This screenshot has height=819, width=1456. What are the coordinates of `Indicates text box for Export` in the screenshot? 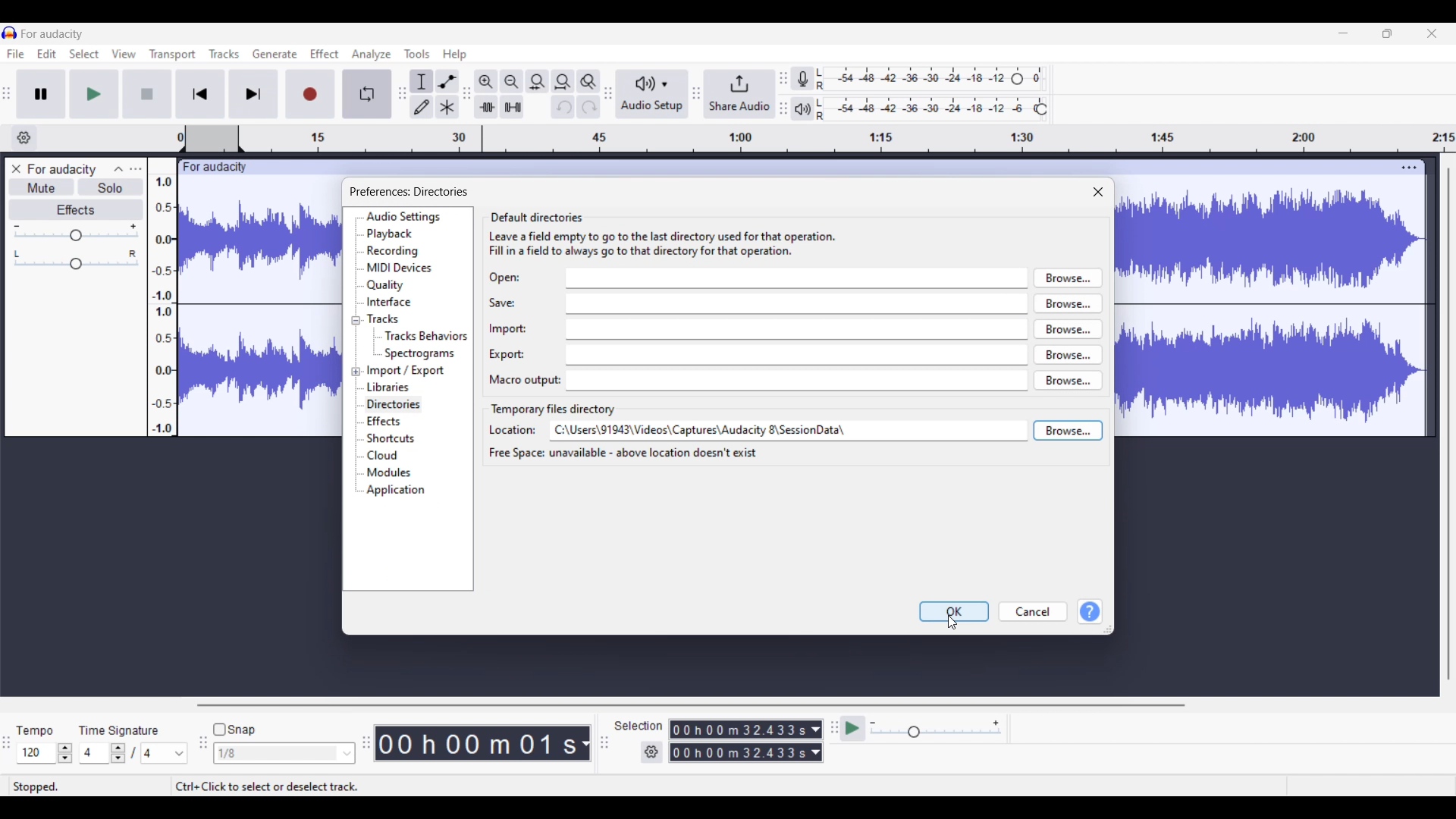 It's located at (507, 356).